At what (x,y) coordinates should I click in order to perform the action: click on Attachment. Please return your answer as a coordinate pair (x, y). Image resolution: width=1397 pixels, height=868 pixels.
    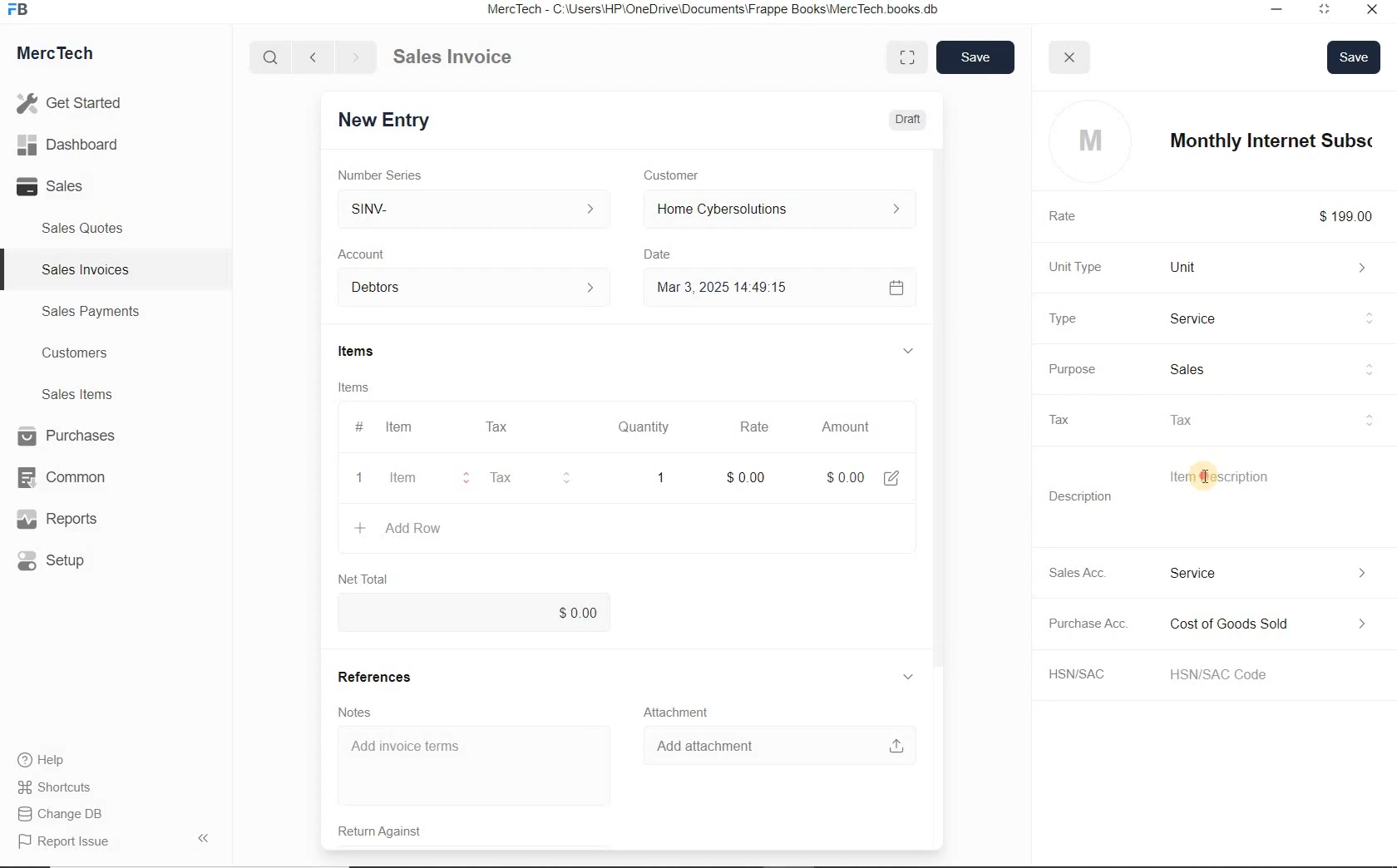
    Looking at the image, I should click on (674, 710).